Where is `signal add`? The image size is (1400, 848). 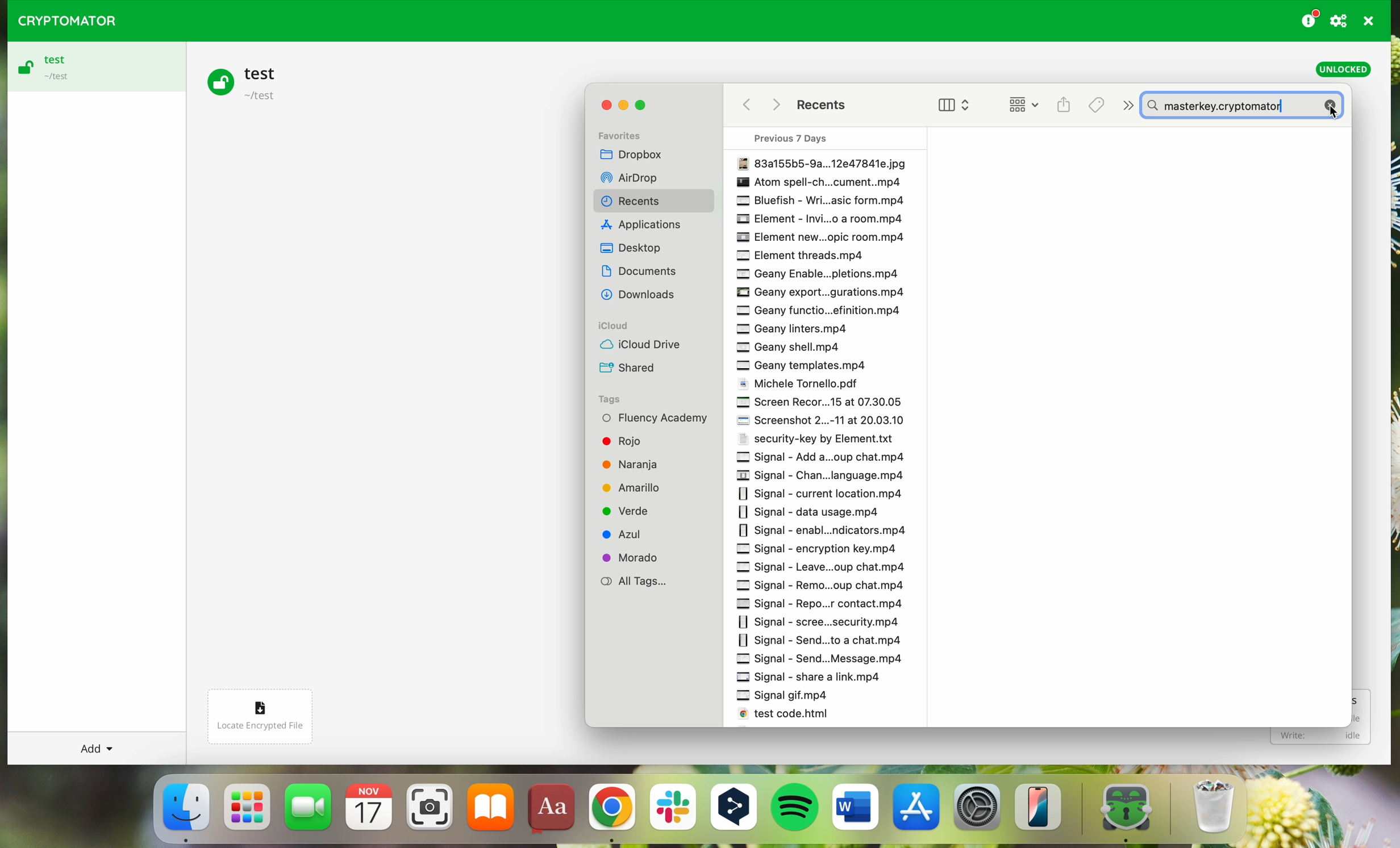 signal add is located at coordinates (829, 458).